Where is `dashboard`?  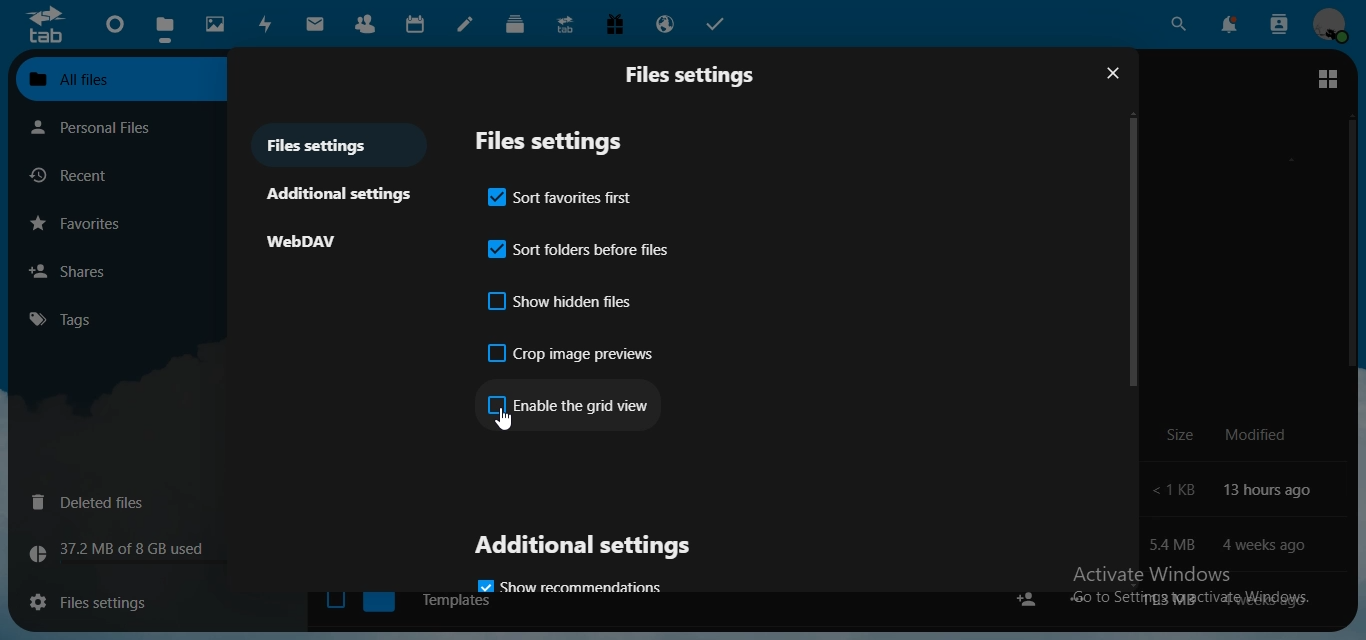
dashboard is located at coordinates (114, 29).